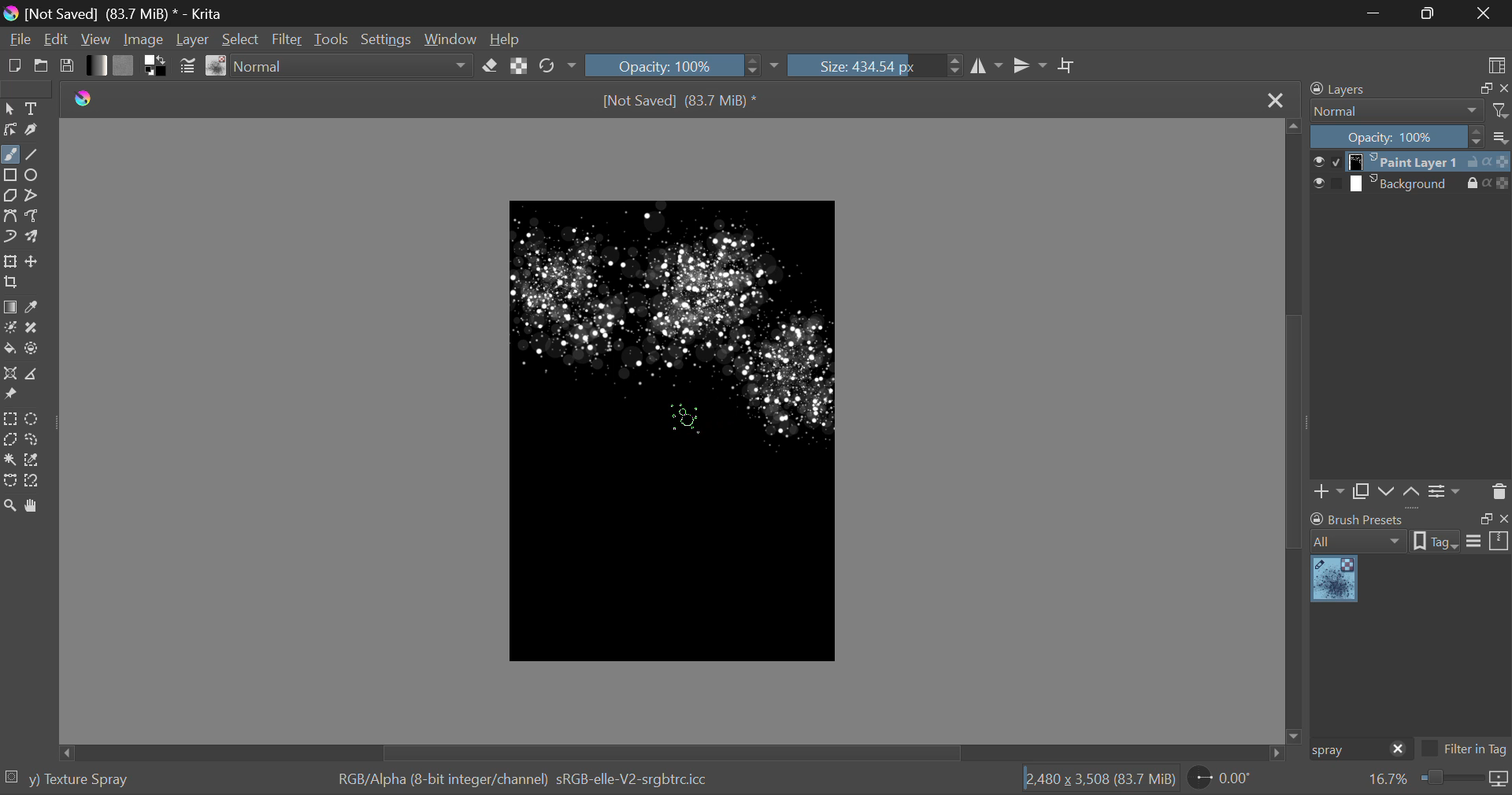  Describe the element at coordinates (9, 156) in the screenshot. I see `Freehand Paintbrush selected` at that location.